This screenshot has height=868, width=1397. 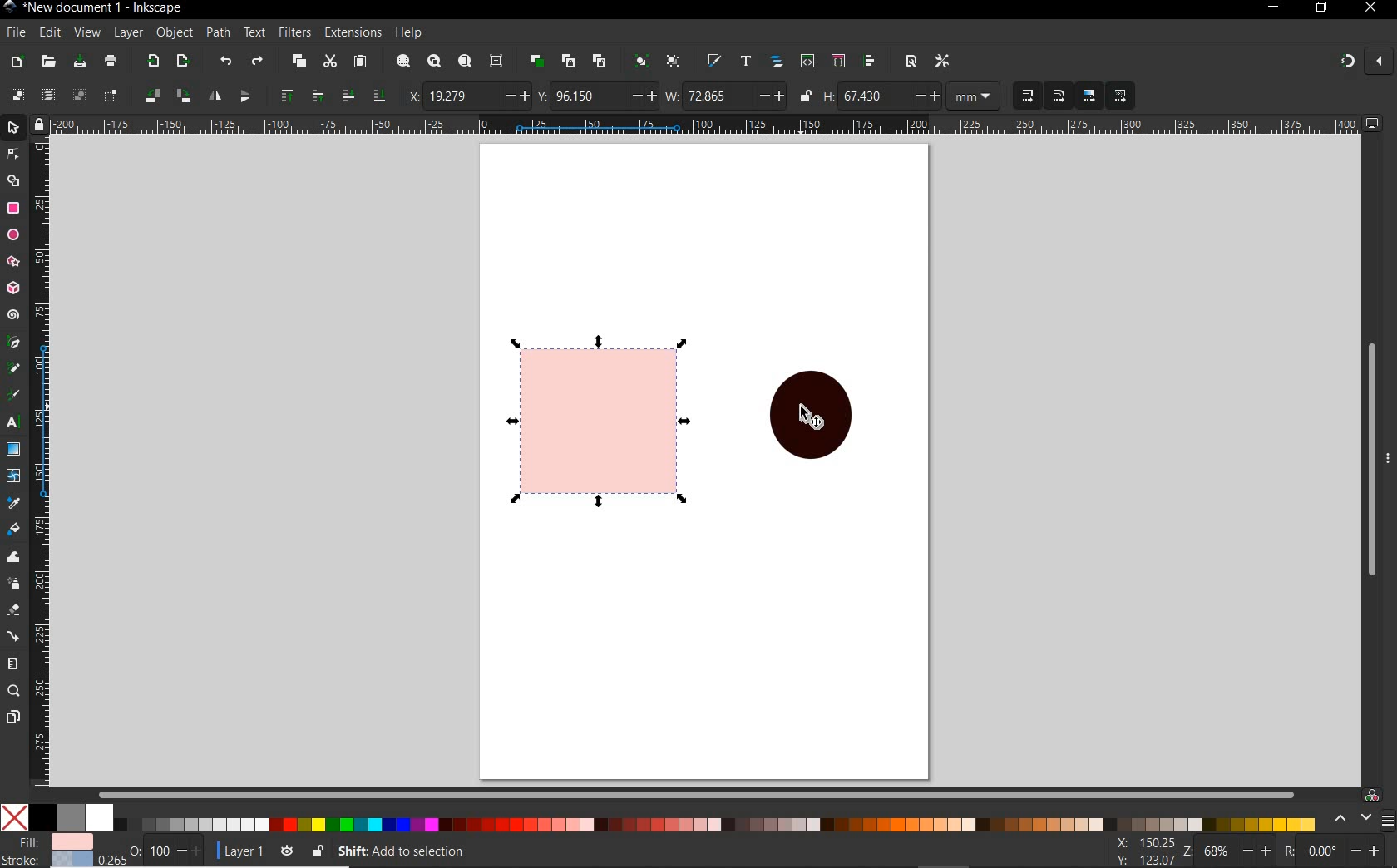 I want to click on ruler, so click(x=708, y=124).